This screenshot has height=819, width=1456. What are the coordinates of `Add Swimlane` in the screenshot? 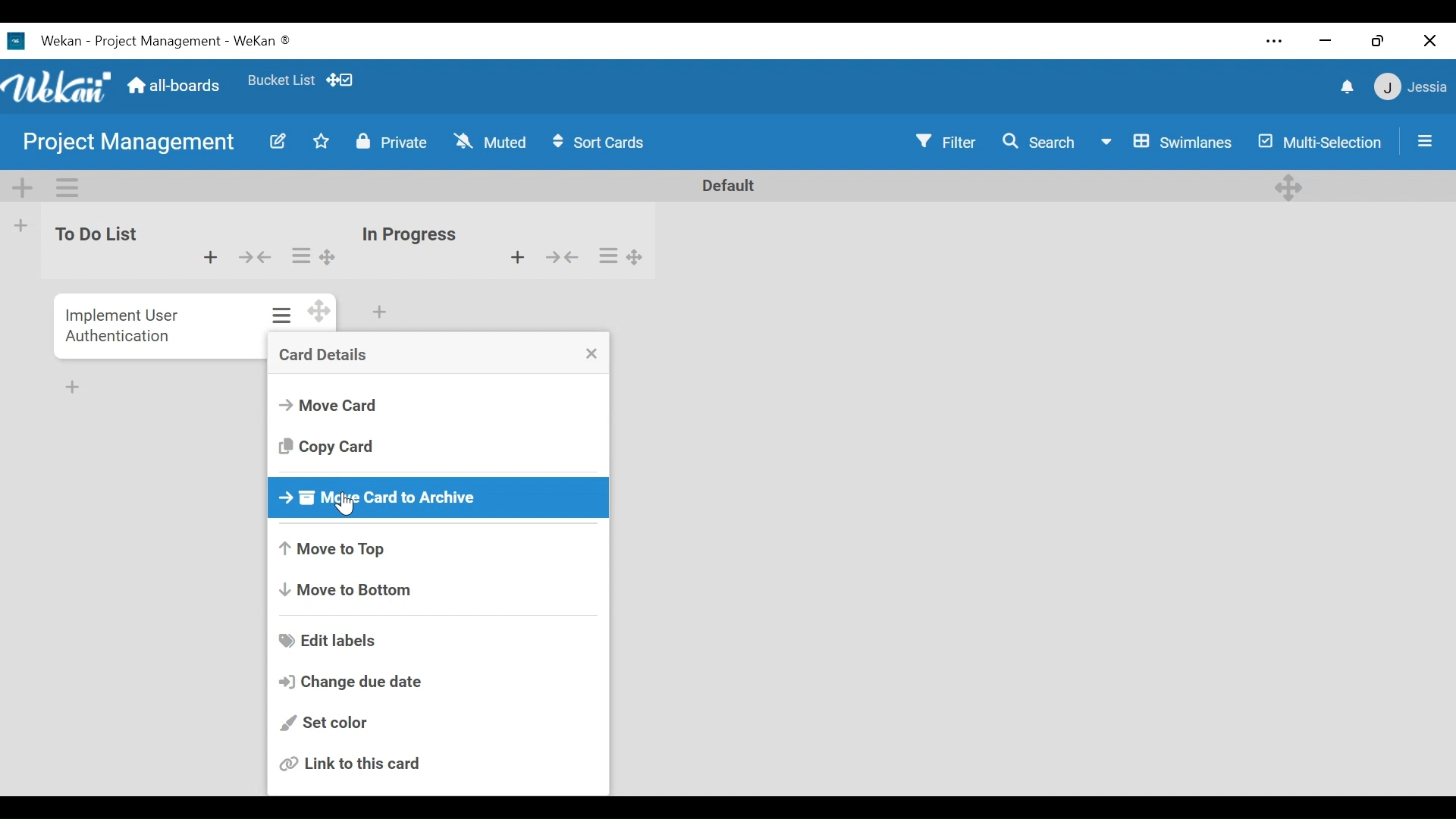 It's located at (24, 188).